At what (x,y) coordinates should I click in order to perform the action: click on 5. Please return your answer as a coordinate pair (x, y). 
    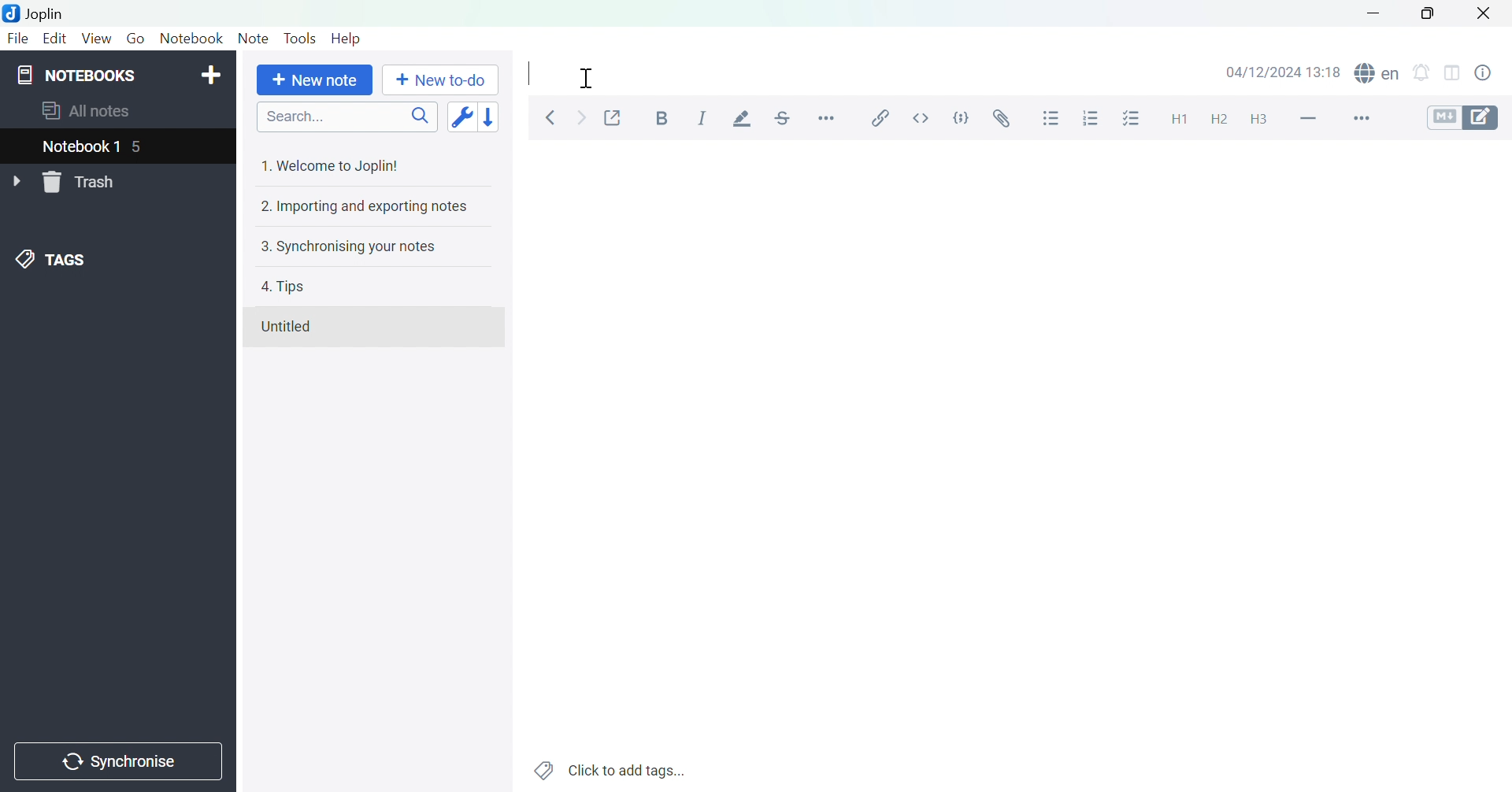
    Looking at the image, I should click on (144, 146).